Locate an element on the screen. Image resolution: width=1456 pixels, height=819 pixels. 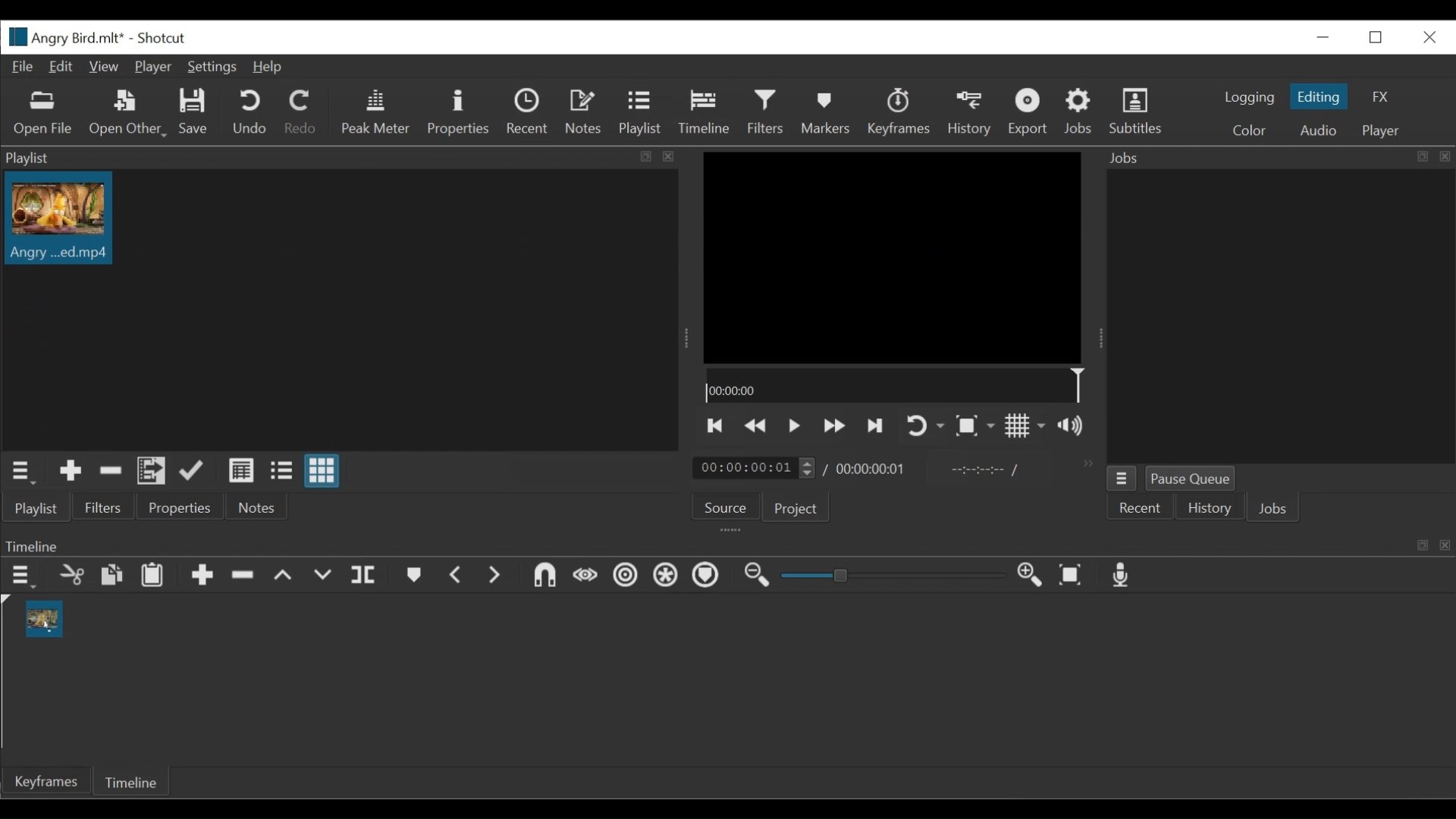
Editing is located at coordinates (1319, 96).